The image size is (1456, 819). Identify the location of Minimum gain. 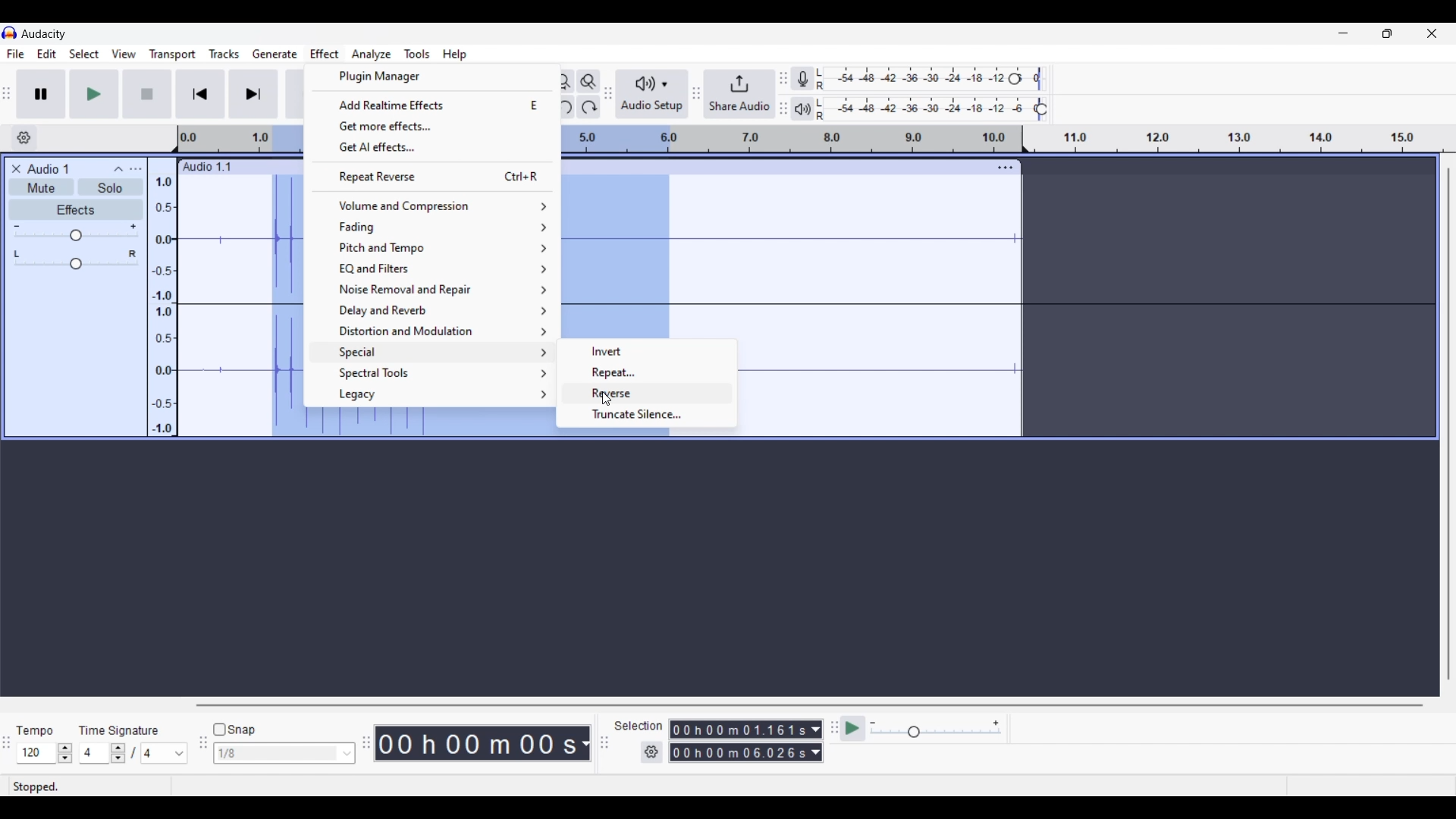
(16, 226).